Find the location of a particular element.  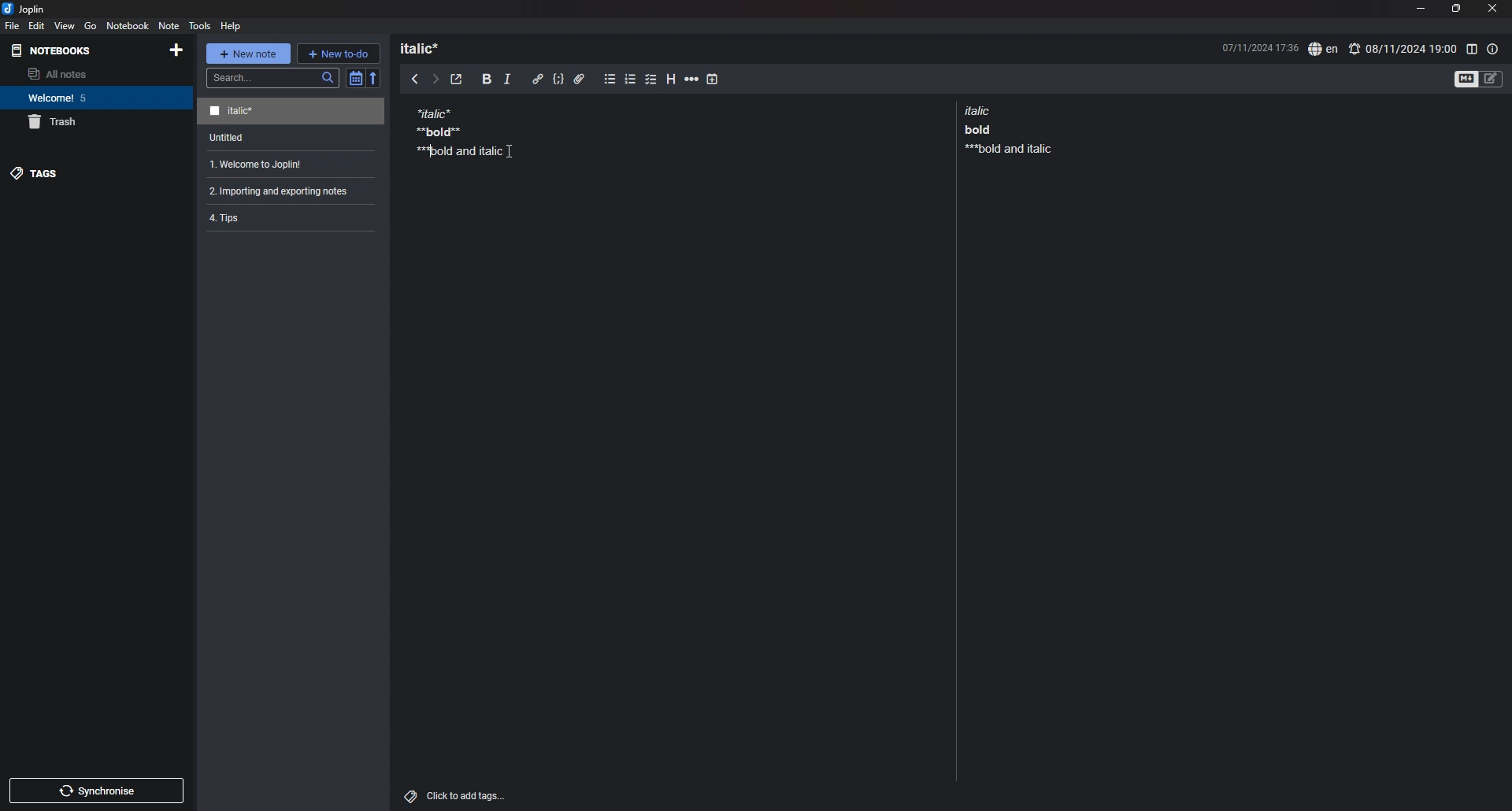

help is located at coordinates (232, 25).